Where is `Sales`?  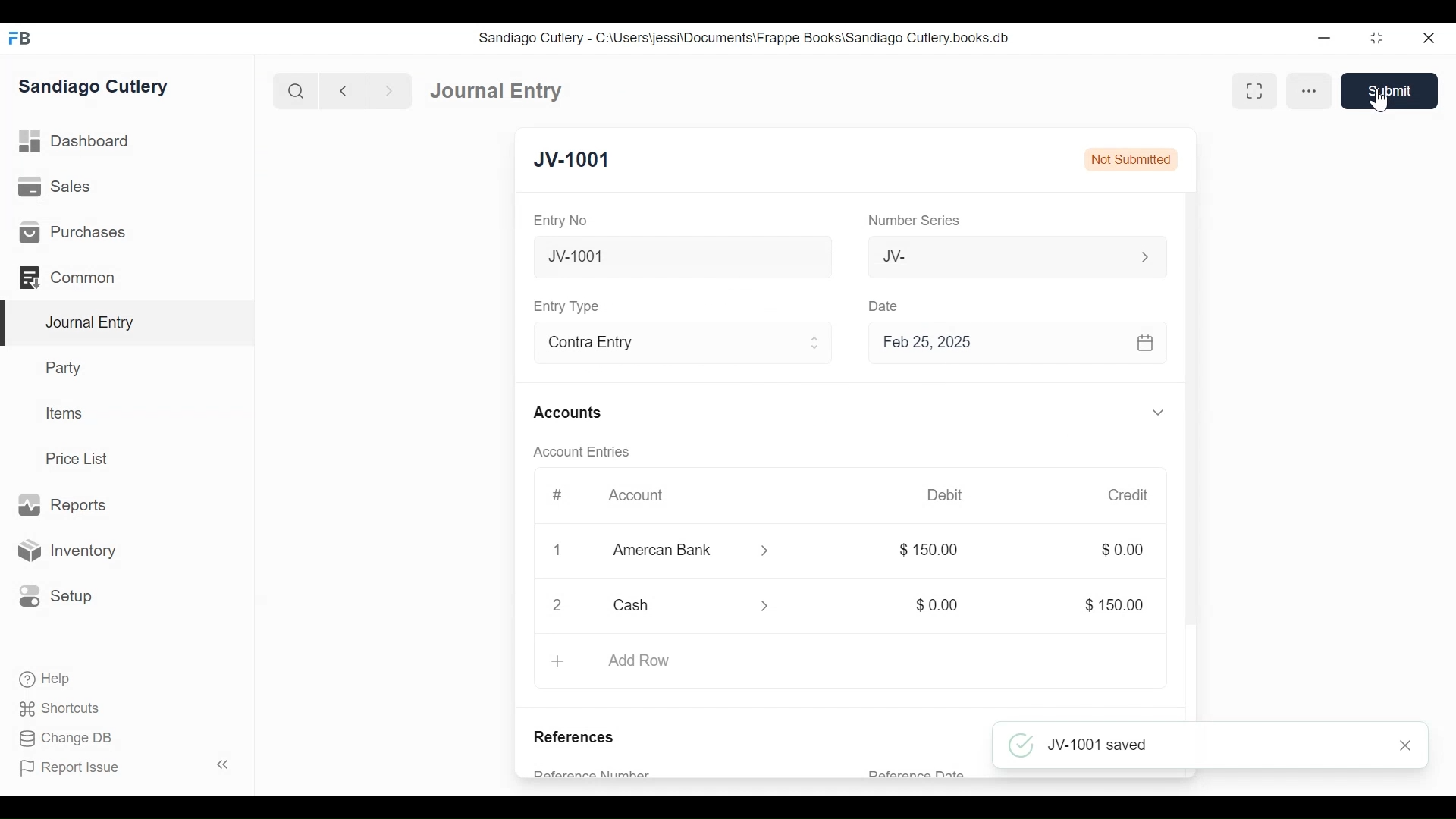
Sales is located at coordinates (60, 187).